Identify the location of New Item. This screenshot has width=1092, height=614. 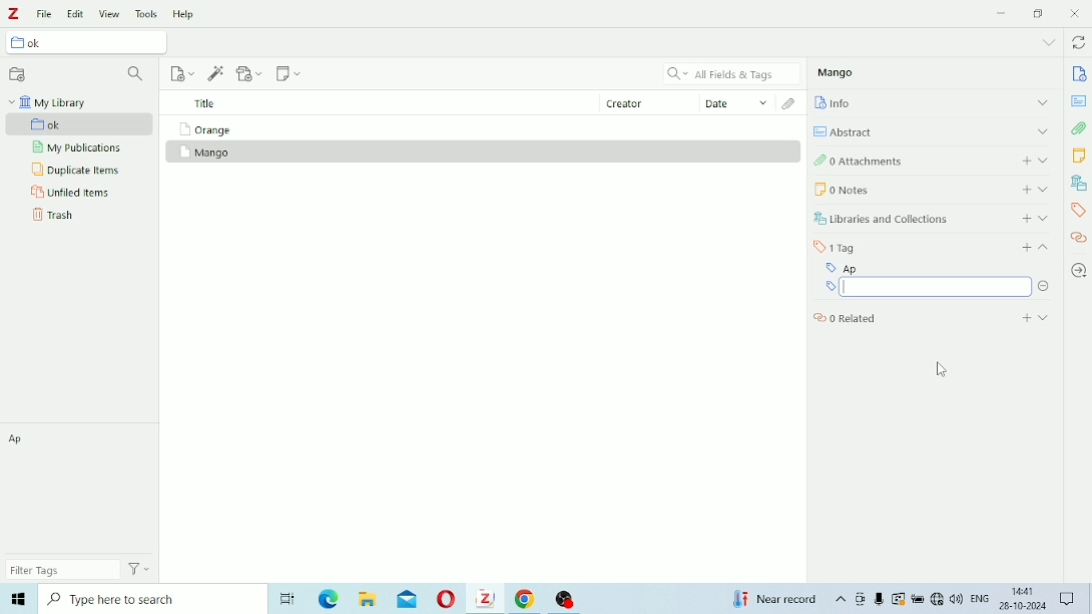
(183, 73).